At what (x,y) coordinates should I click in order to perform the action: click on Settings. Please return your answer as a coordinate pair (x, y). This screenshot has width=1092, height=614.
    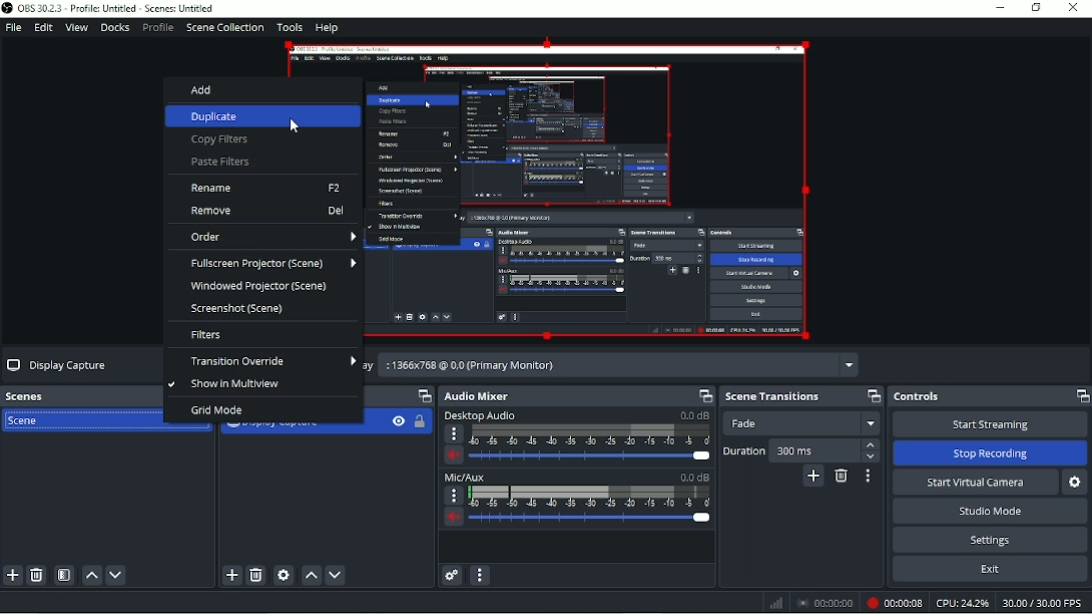
    Looking at the image, I should click on (992, 540).